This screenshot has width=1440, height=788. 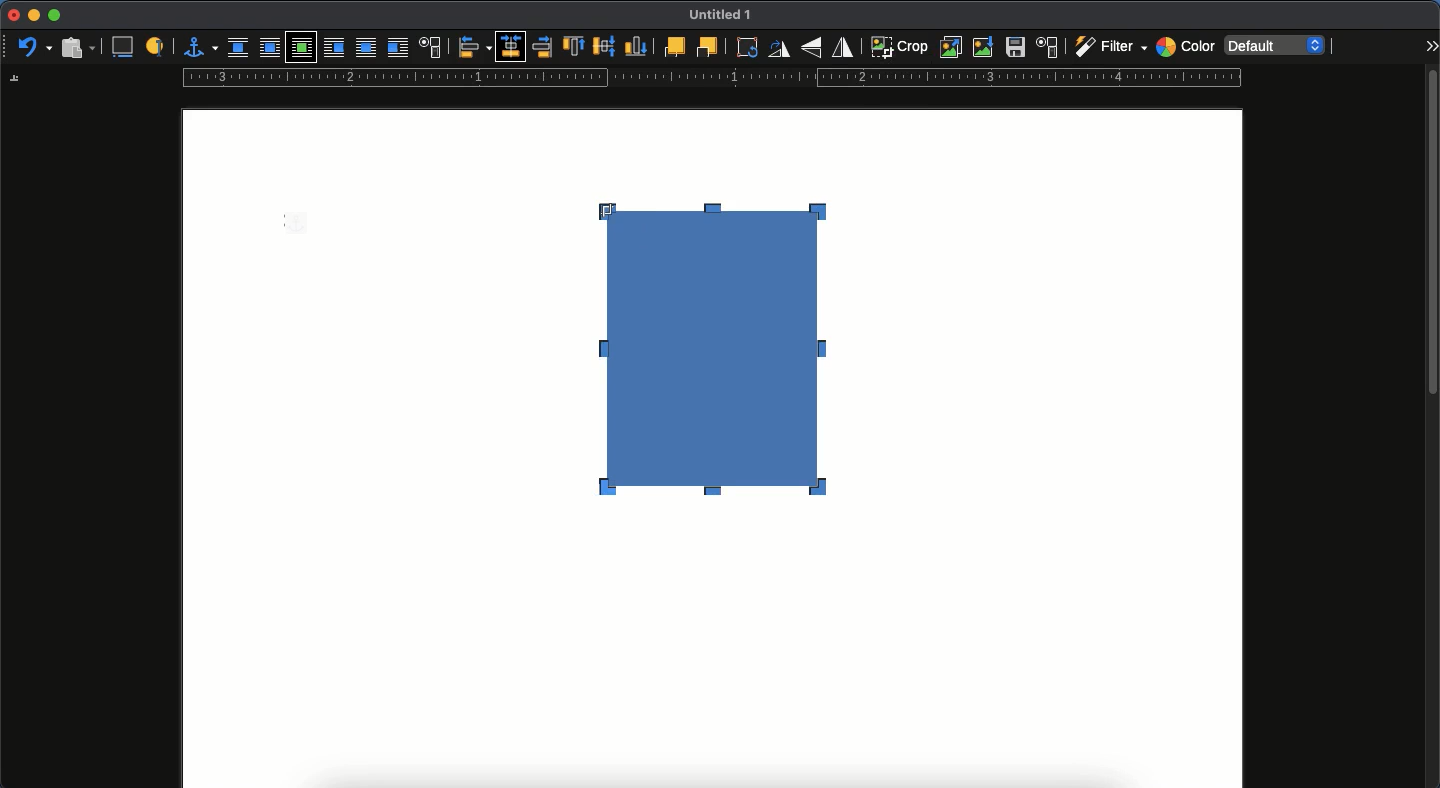 What do you see at coordinates (707, 46) in the screenshot?
I see `to back` at bounding box center [707, 46].